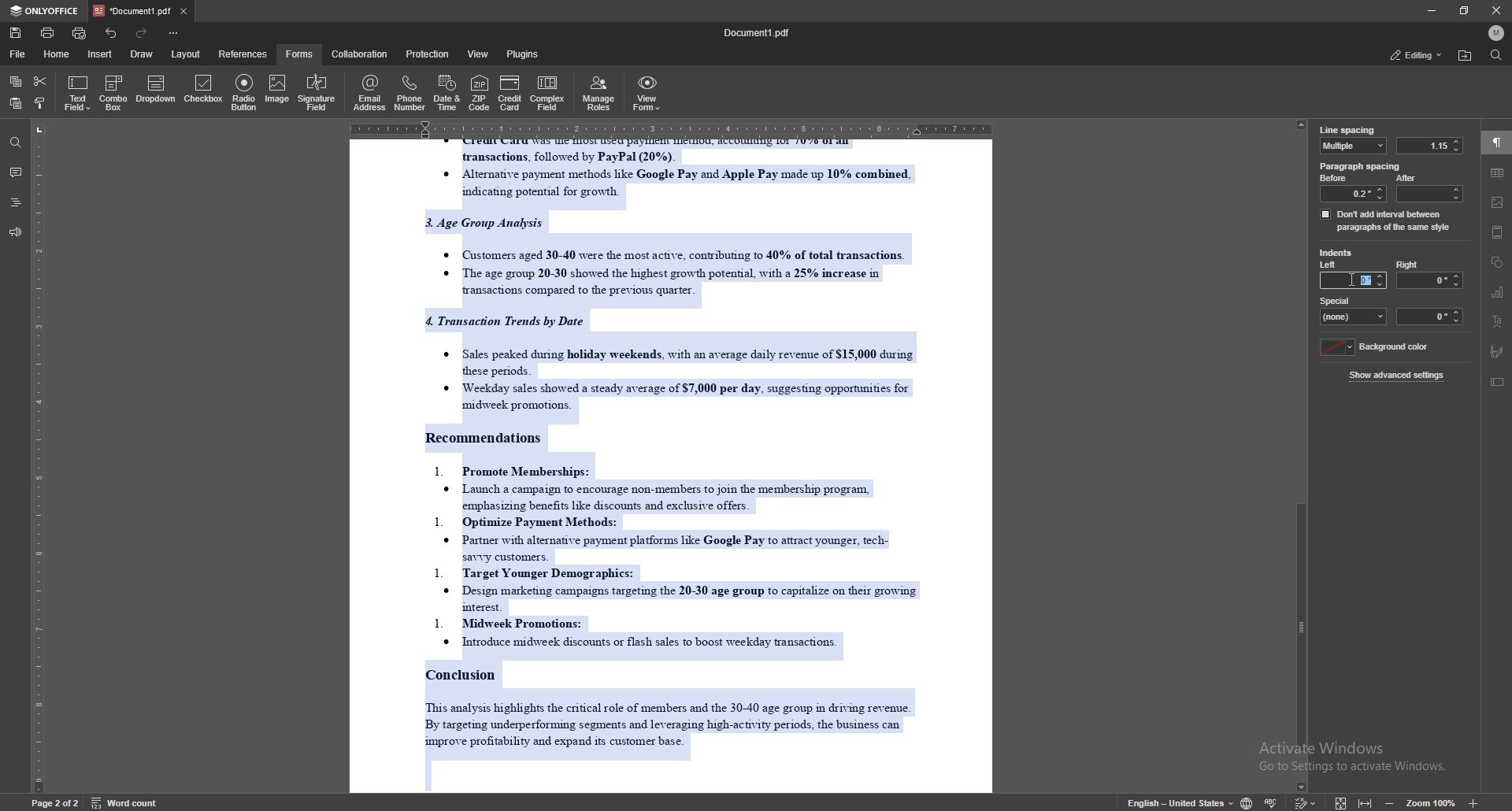  What do you see at coordinates (185, 54) in the screenshot?
I see `layout` at bounding box center [185, 54].